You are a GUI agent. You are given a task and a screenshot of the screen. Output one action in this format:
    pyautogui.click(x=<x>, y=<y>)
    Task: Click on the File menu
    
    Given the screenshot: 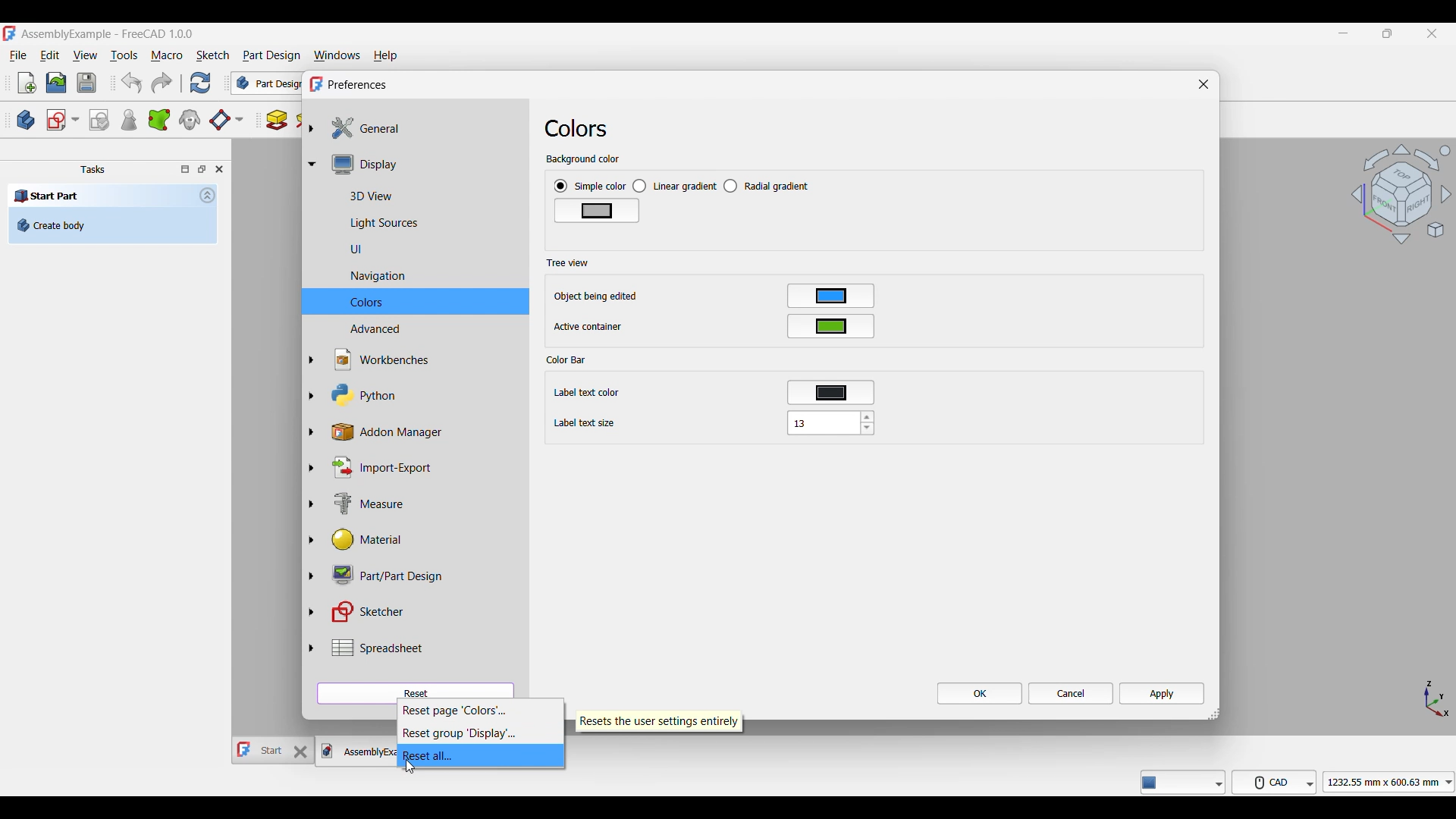 What is the action you would take?
    pyautogui.click(x=18, y=55)
    